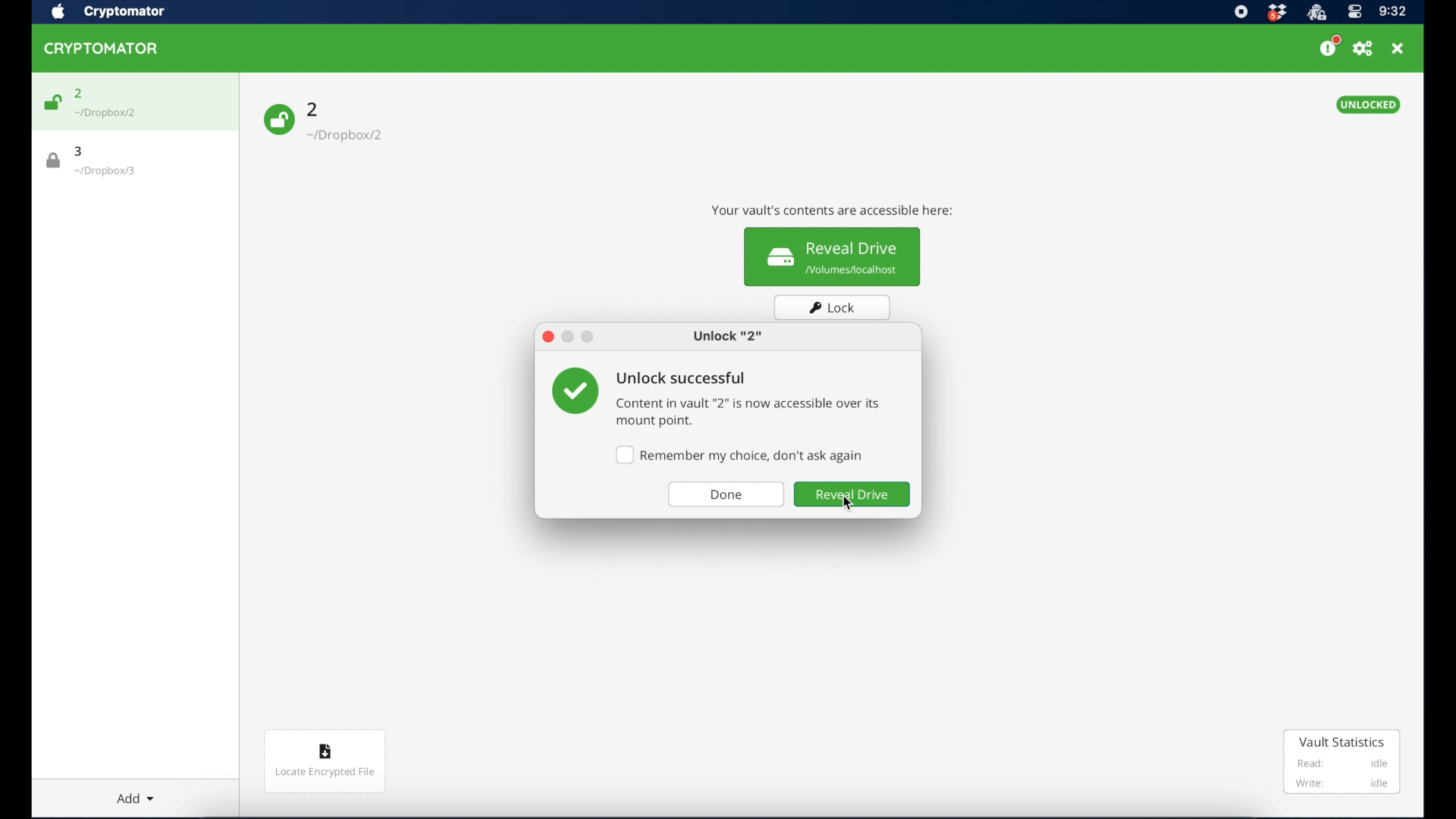 This screenshot has height=819, width=1456. Describe the element at coordinates (52, 102) in the screenshot. I see `unlock icon` at that location.